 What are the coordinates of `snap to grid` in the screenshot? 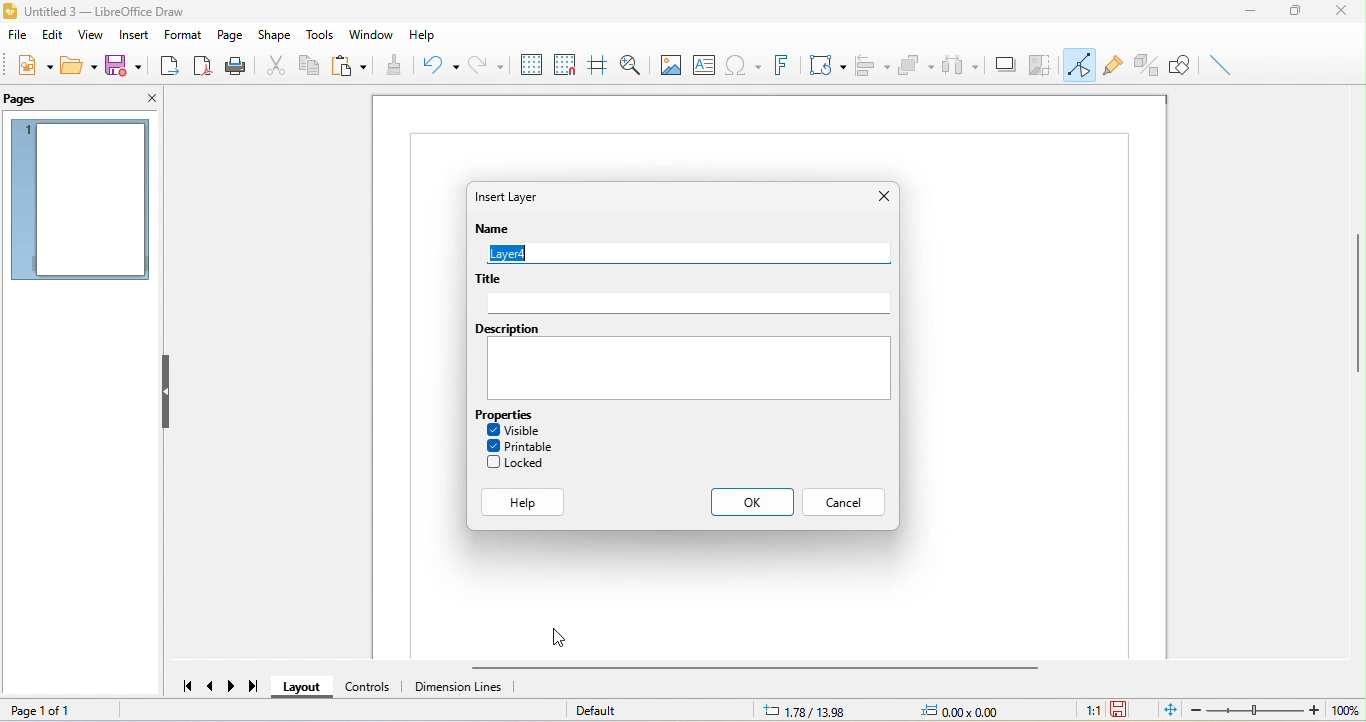 It's located at (565, 64).